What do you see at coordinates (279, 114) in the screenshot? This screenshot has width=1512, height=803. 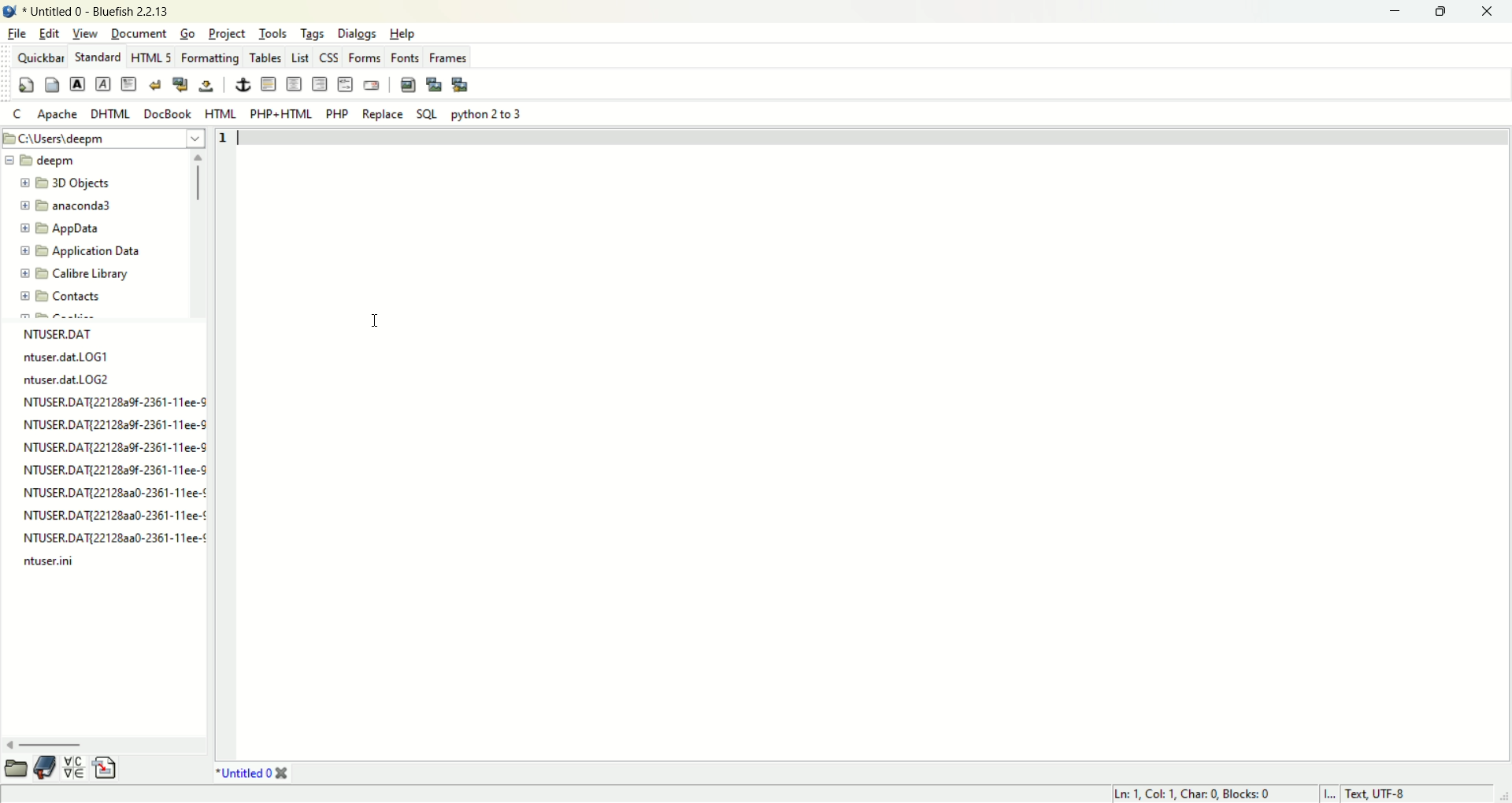 I see `PHP+HTML` at bounding box center [279, 114].